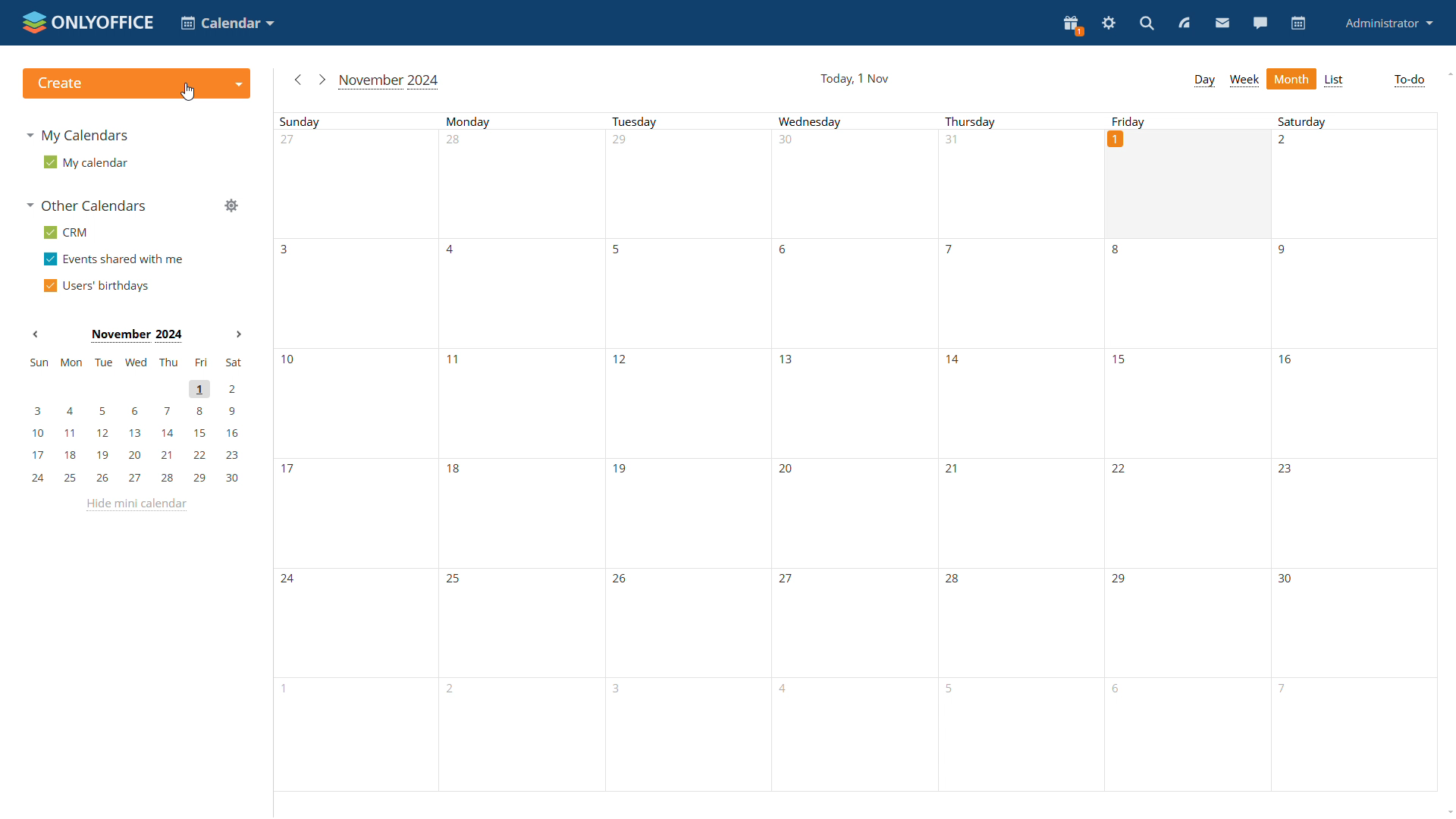 The width and height of the screenshot is (1456, 819). I want to click on scroll-up, so click(1447, 72).